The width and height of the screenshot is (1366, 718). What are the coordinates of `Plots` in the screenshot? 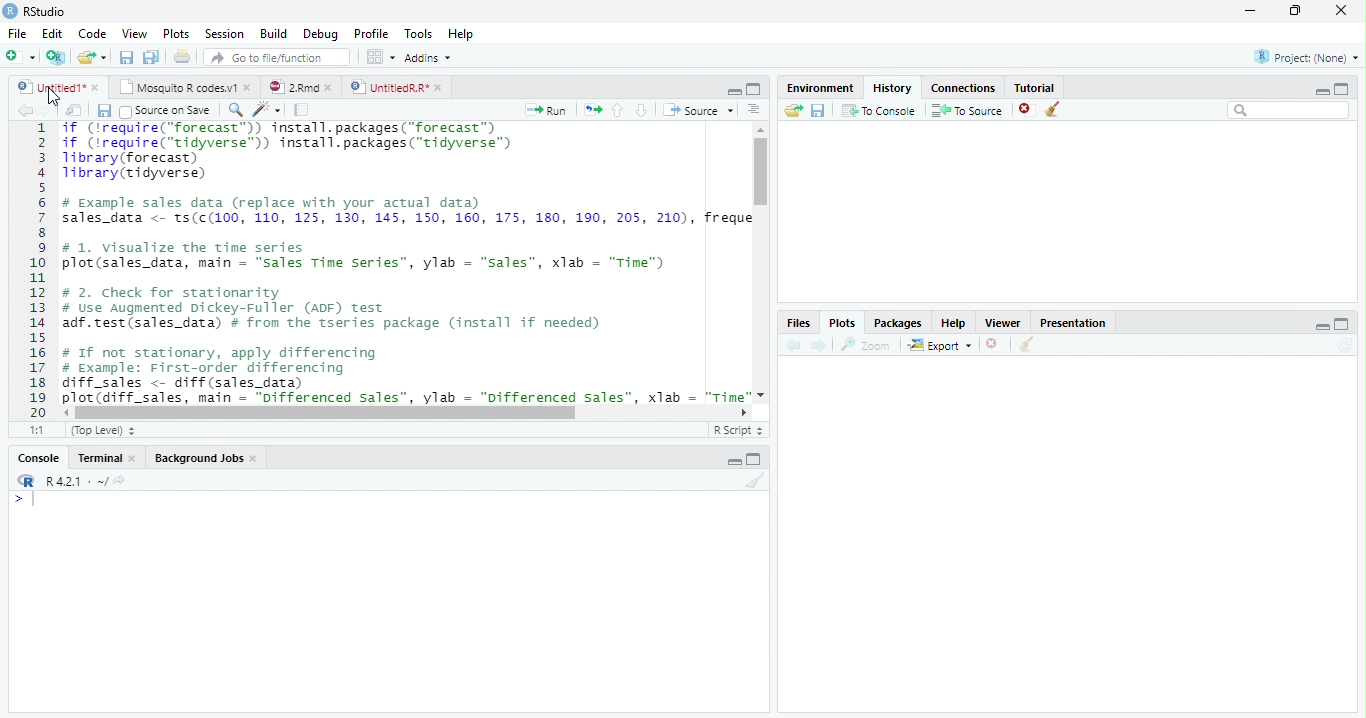 It's located at (843, 323).